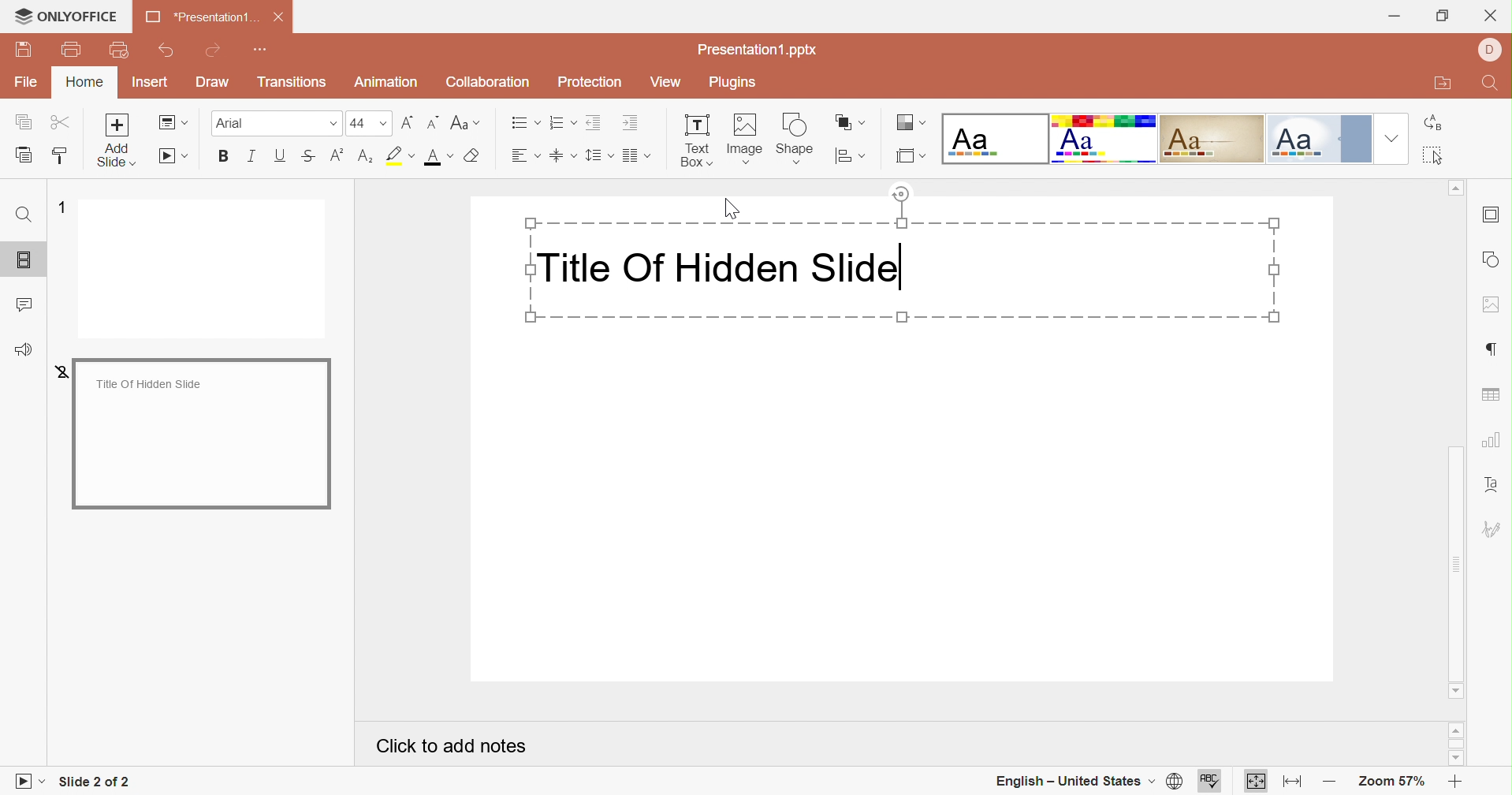 Image resolution: width=1512 pixels, height=795 pixels. What do you see at coordinates (62, 159) in the screenshot?
I see `Copy style` at bounding box center [62, 159].